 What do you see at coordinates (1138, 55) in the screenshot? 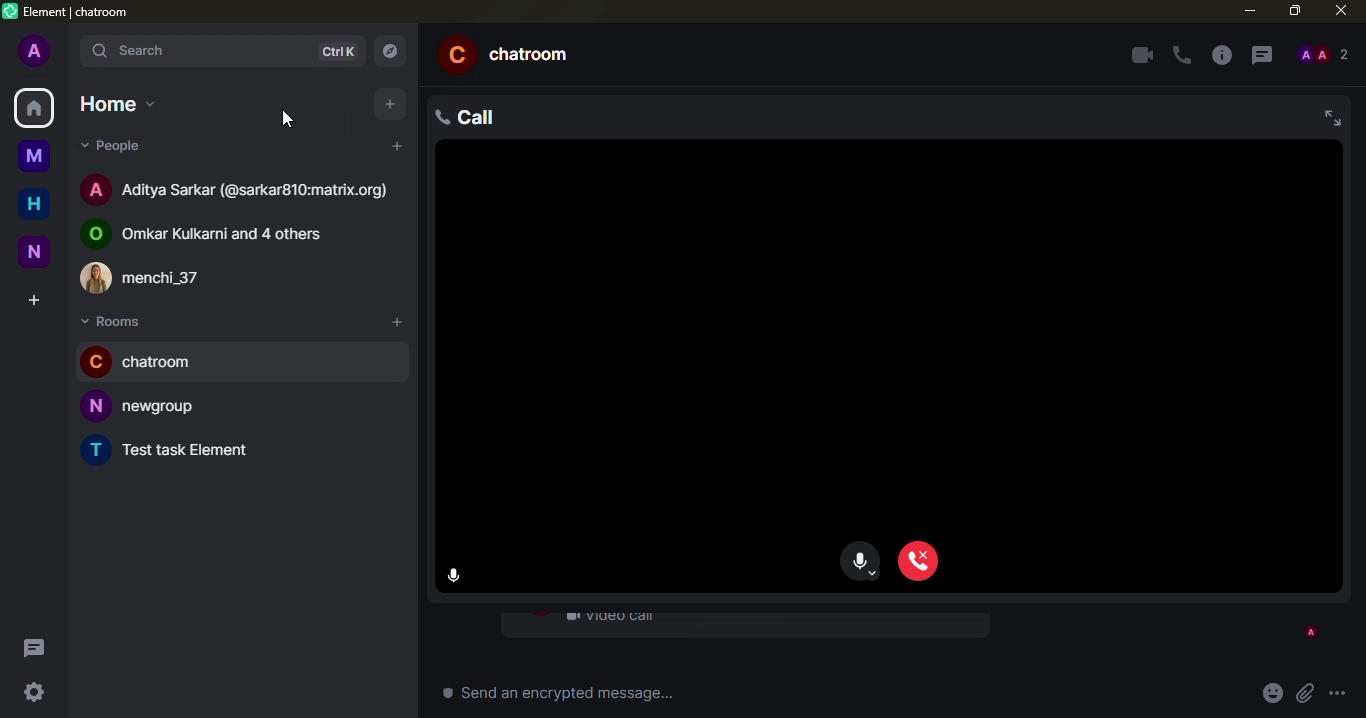
I see `video call` at bounding box center [1138, 55].